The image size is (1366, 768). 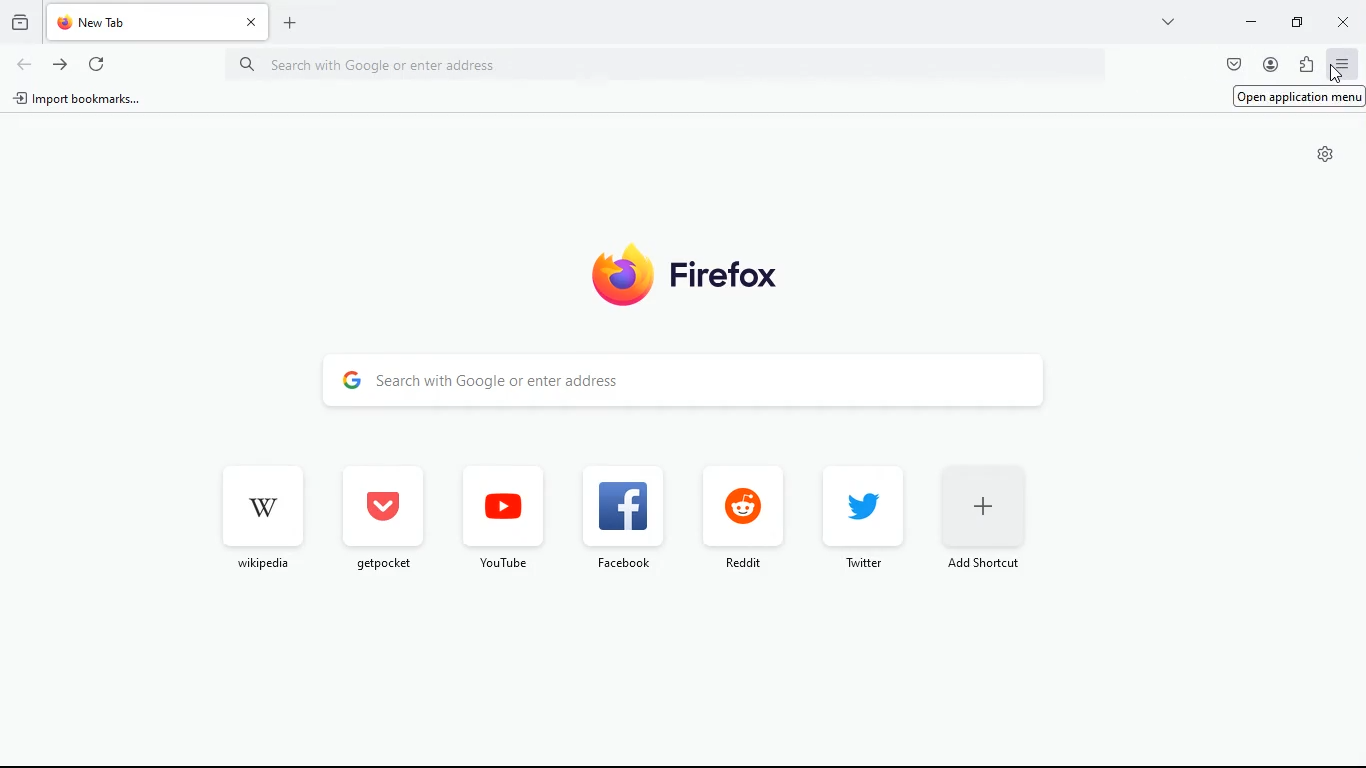 What do you see at coordinates (863, 523) in the screenshot?
I see `twitter` at bounding box center [863, 523].